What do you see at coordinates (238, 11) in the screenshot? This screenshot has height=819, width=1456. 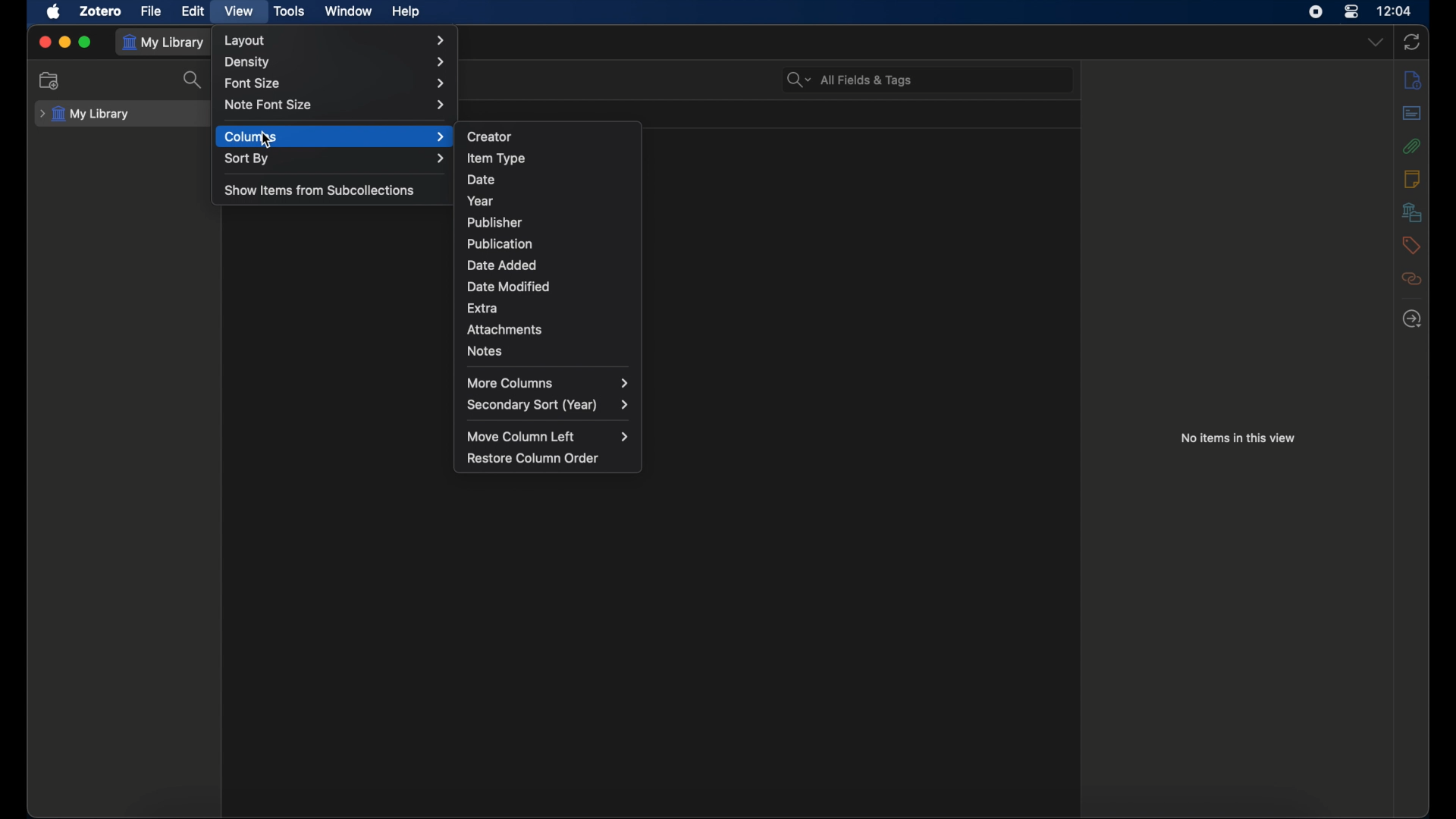 I see `view` at bounding box center [238, 11].